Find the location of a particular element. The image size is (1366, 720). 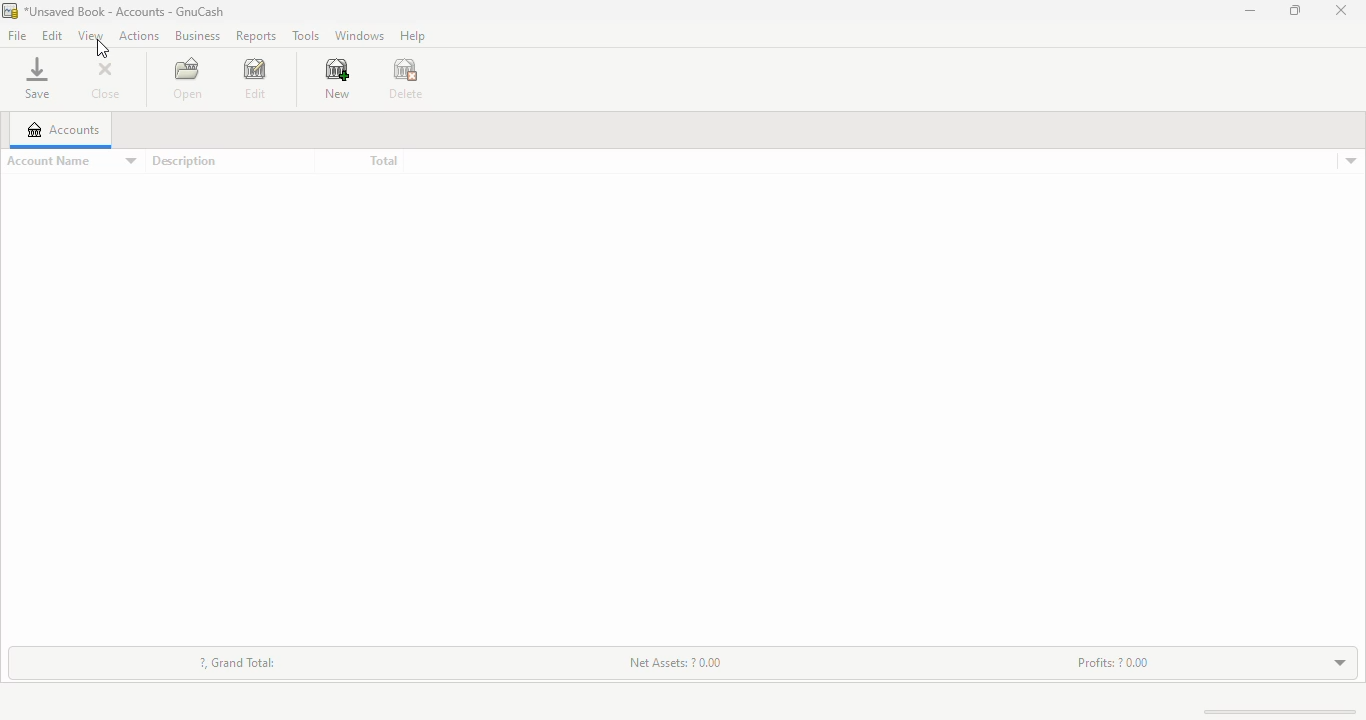

reports is located at coordinates (255, 37).